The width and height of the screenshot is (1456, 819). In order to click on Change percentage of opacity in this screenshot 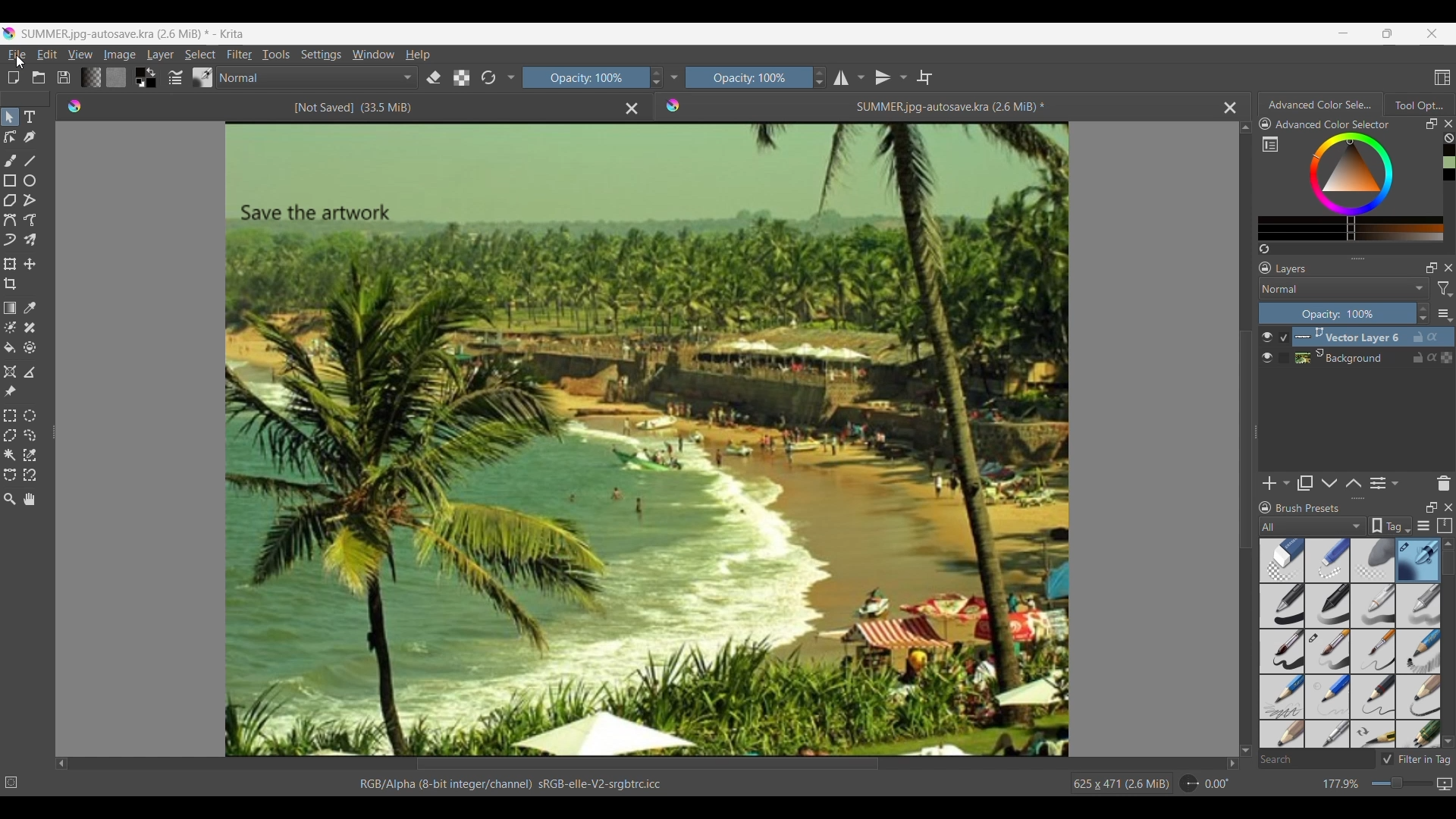, I will do `click(1337, 313)`.